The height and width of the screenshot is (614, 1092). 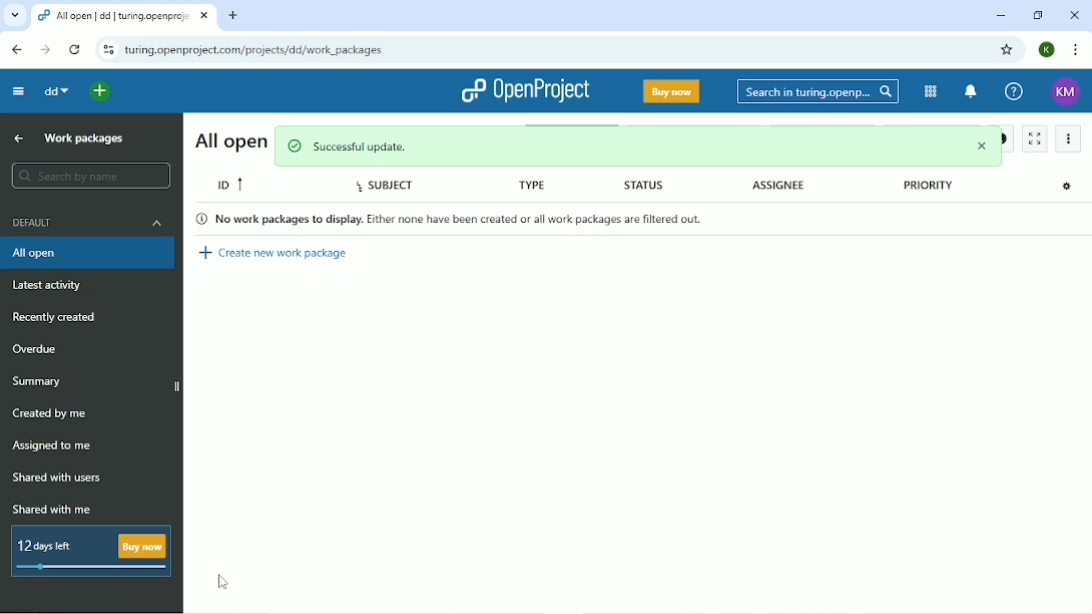 I want to click on Work packages, so click(x=87, y=139).